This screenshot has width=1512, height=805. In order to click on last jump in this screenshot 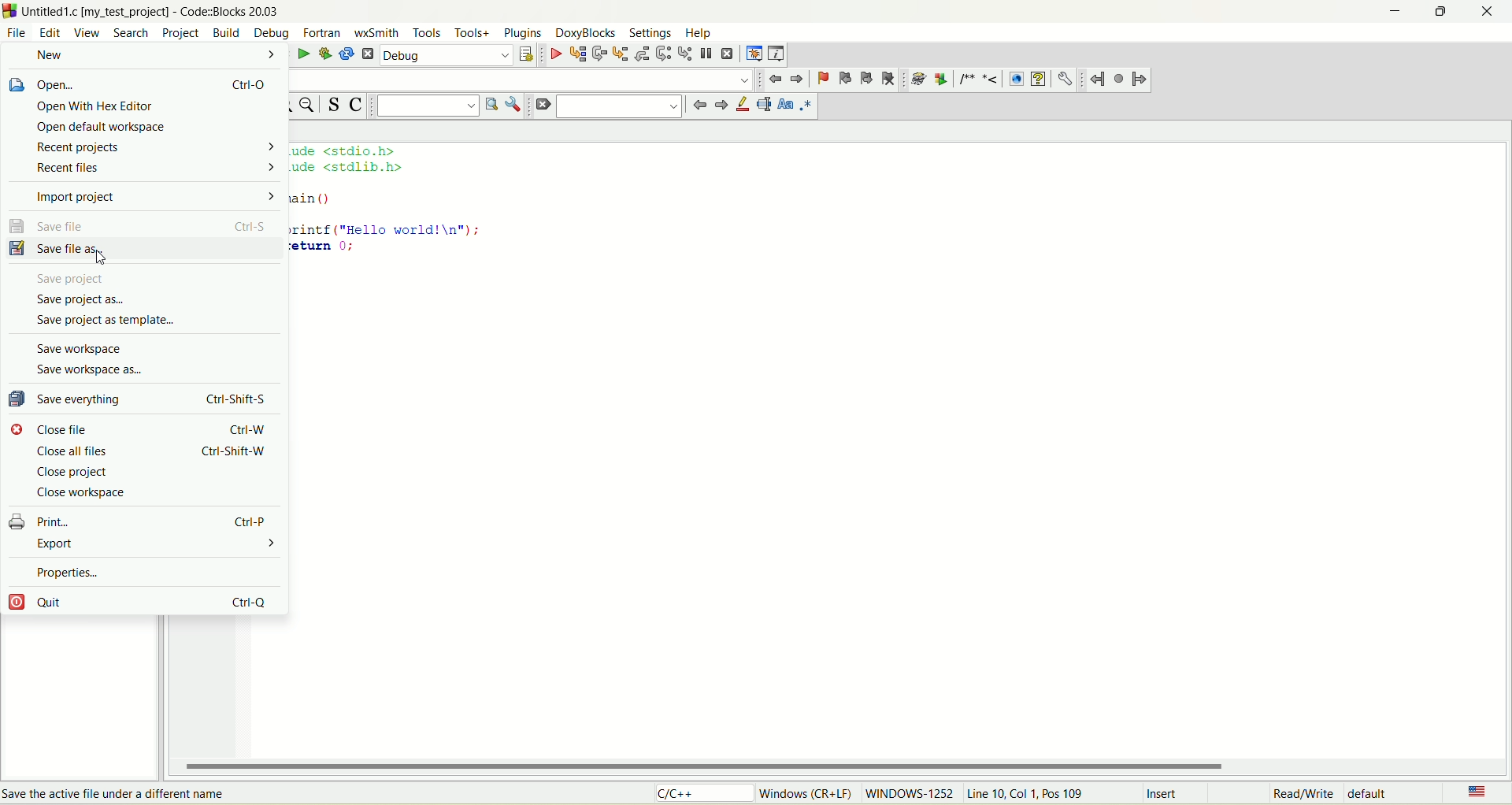, I will do `click(1120, 79)`.